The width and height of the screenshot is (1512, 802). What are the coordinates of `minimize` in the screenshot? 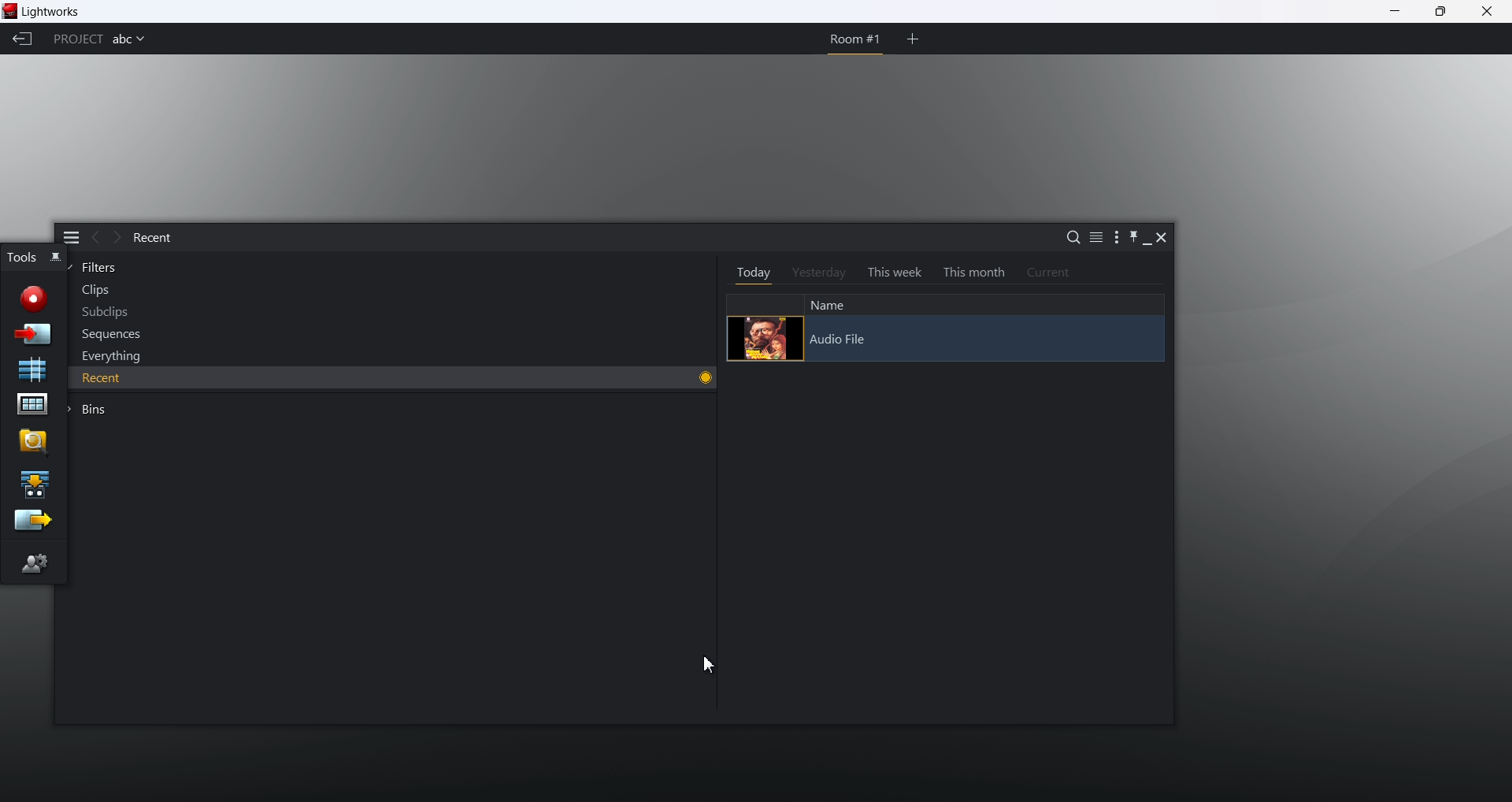 It's located at (1395, 13).